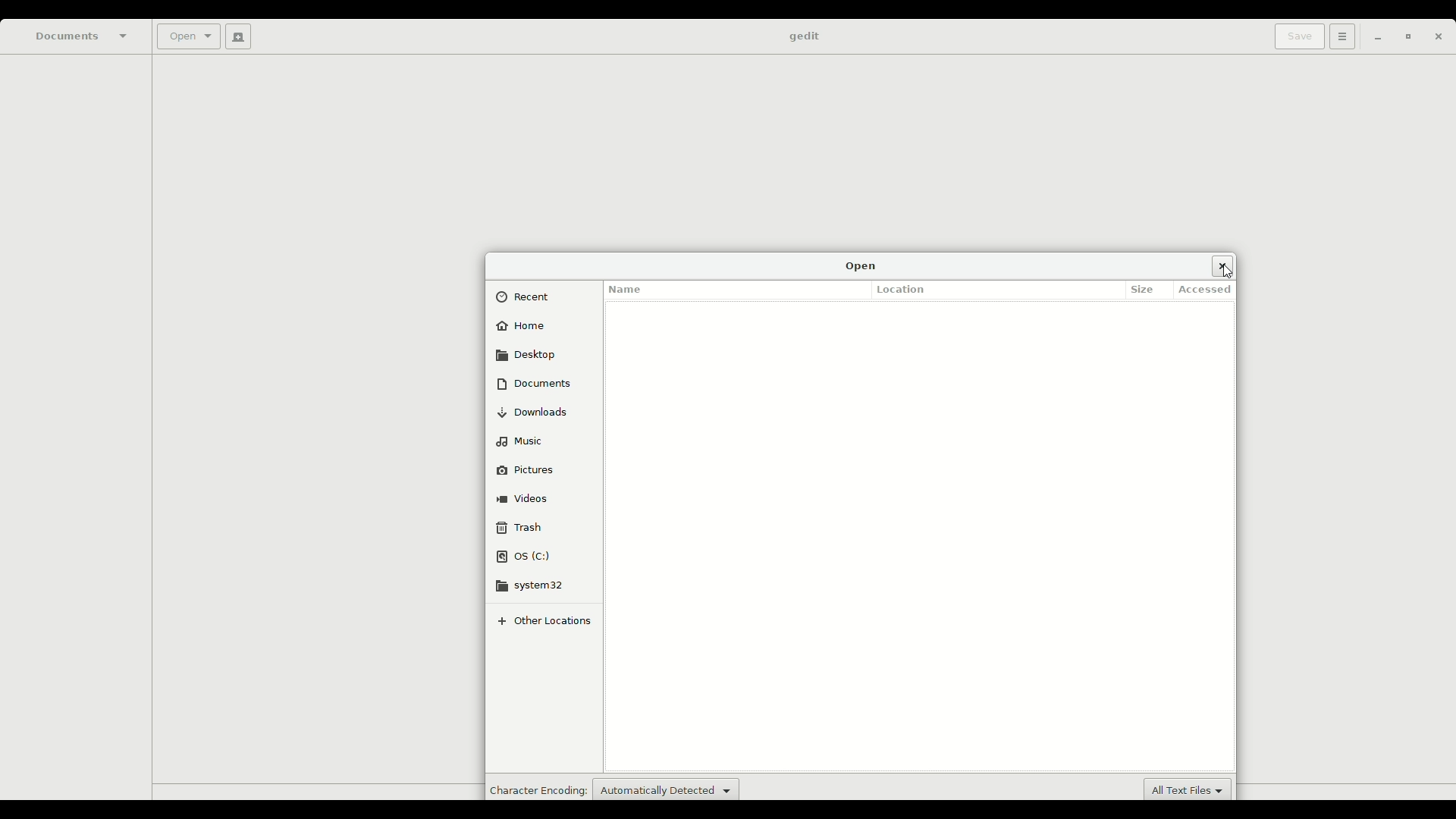  What do you see at coordinates (1373, 38) in the screenshot?
I see `Minimize` at bounding box center [1373, 38].